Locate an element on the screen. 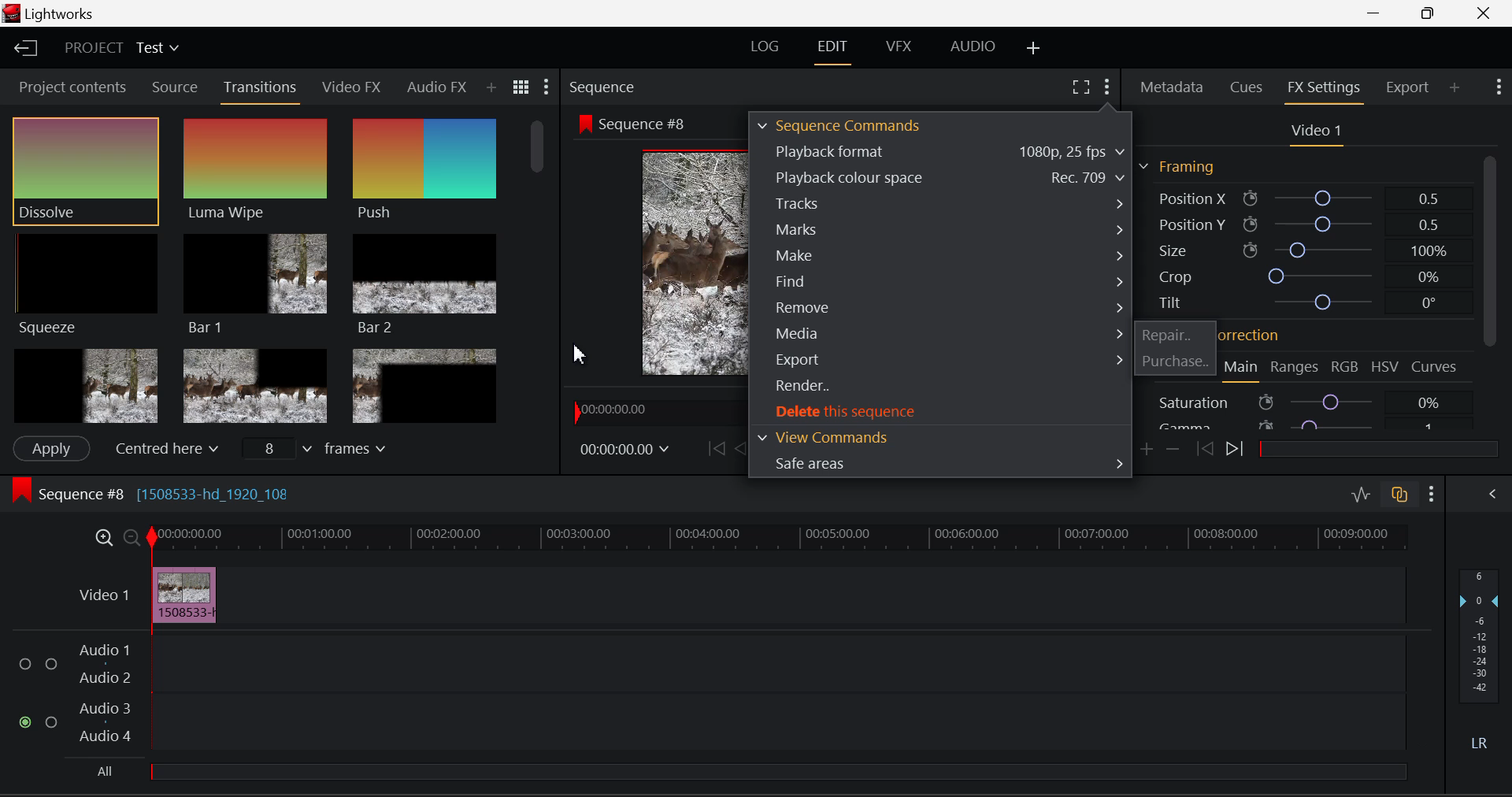  Remove keyframe is located at coordinates (1173, 450).